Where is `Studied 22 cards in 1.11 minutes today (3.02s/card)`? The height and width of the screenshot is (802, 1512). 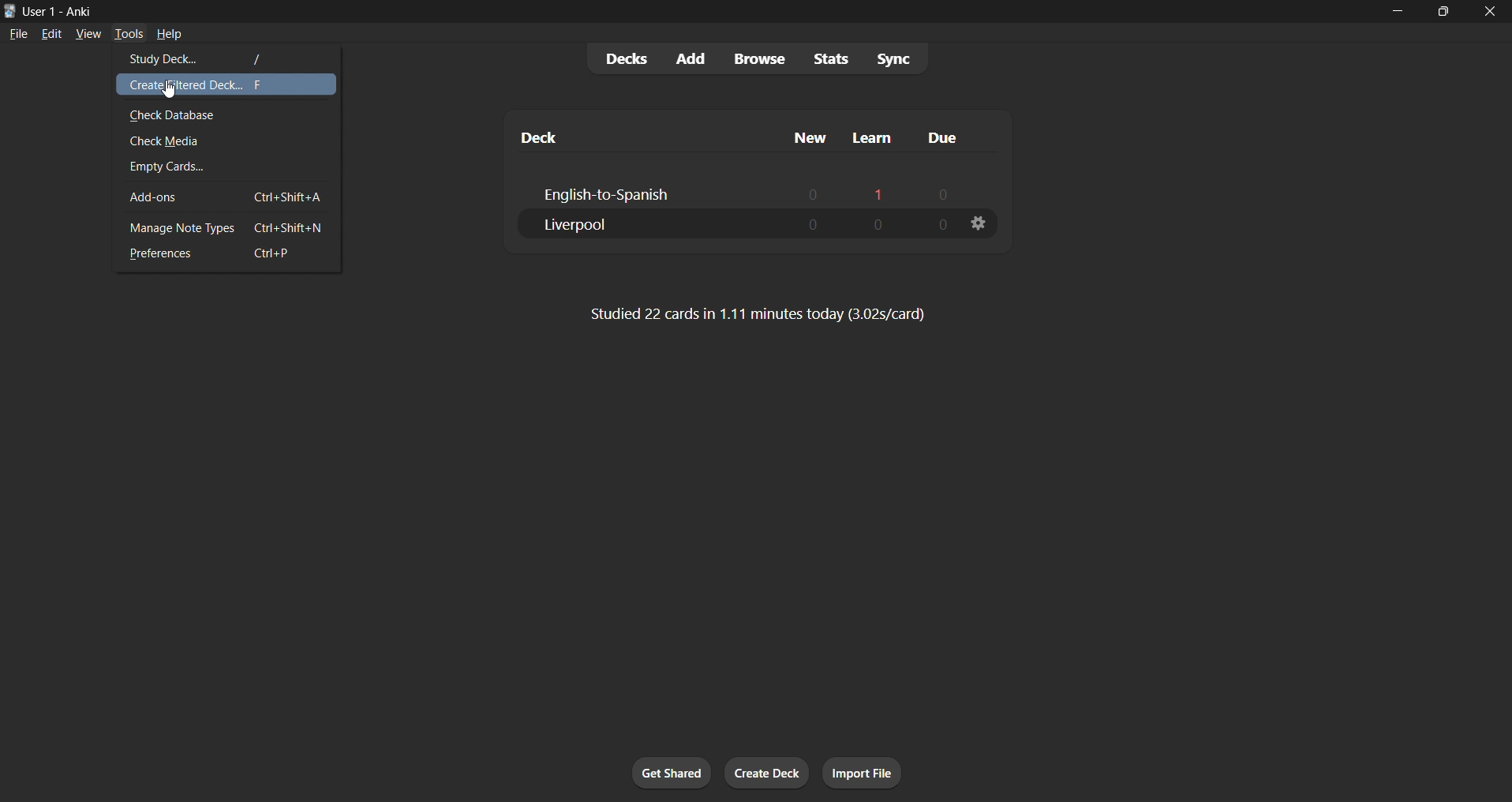
Studied 22 cards in 1.11 minutes today (3.02s/card) is located at coordinates (766, 313).